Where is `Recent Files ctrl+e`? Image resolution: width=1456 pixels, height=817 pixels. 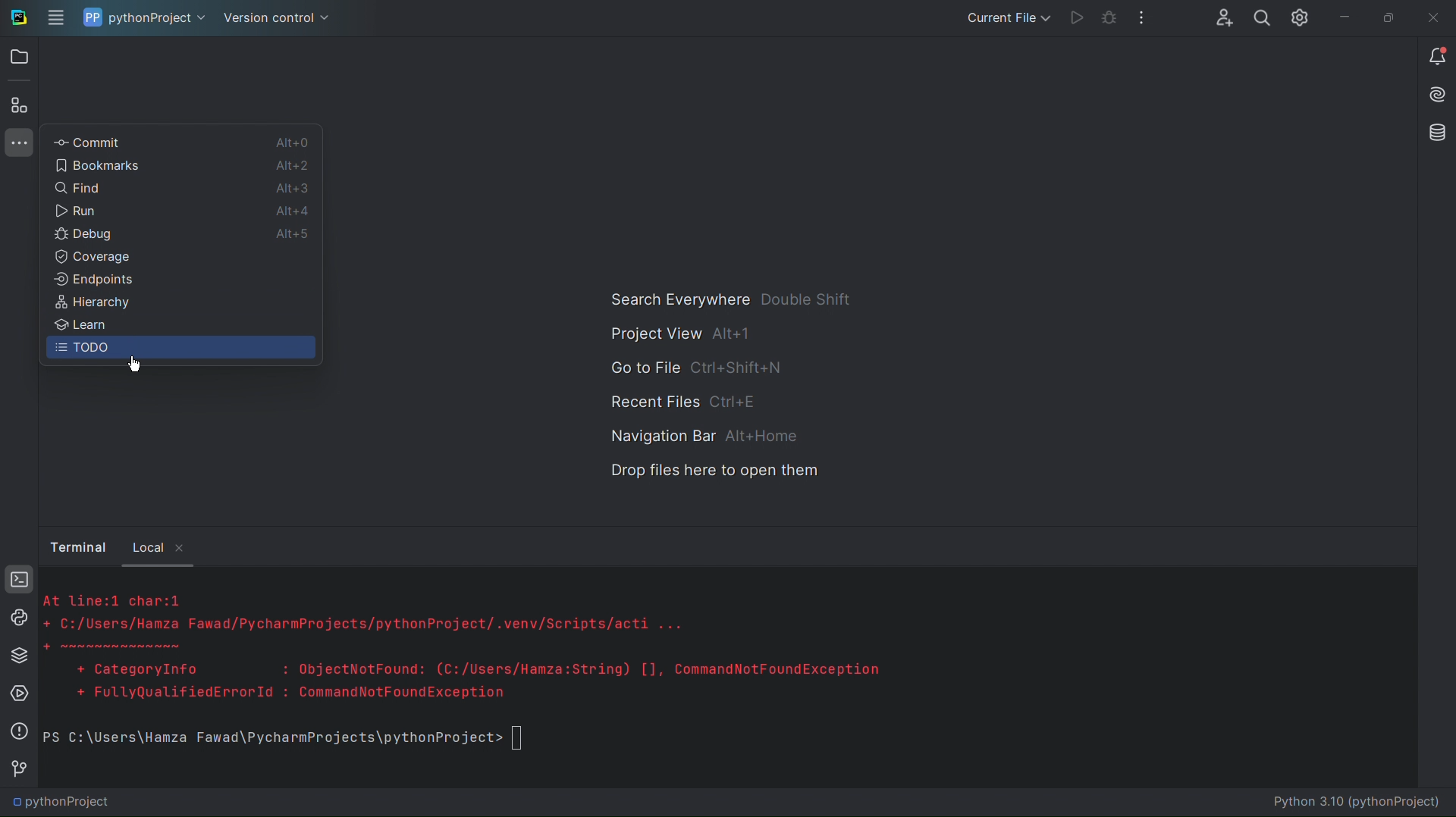 Recent Files ctrl+e is located at coordinates (687, 400).